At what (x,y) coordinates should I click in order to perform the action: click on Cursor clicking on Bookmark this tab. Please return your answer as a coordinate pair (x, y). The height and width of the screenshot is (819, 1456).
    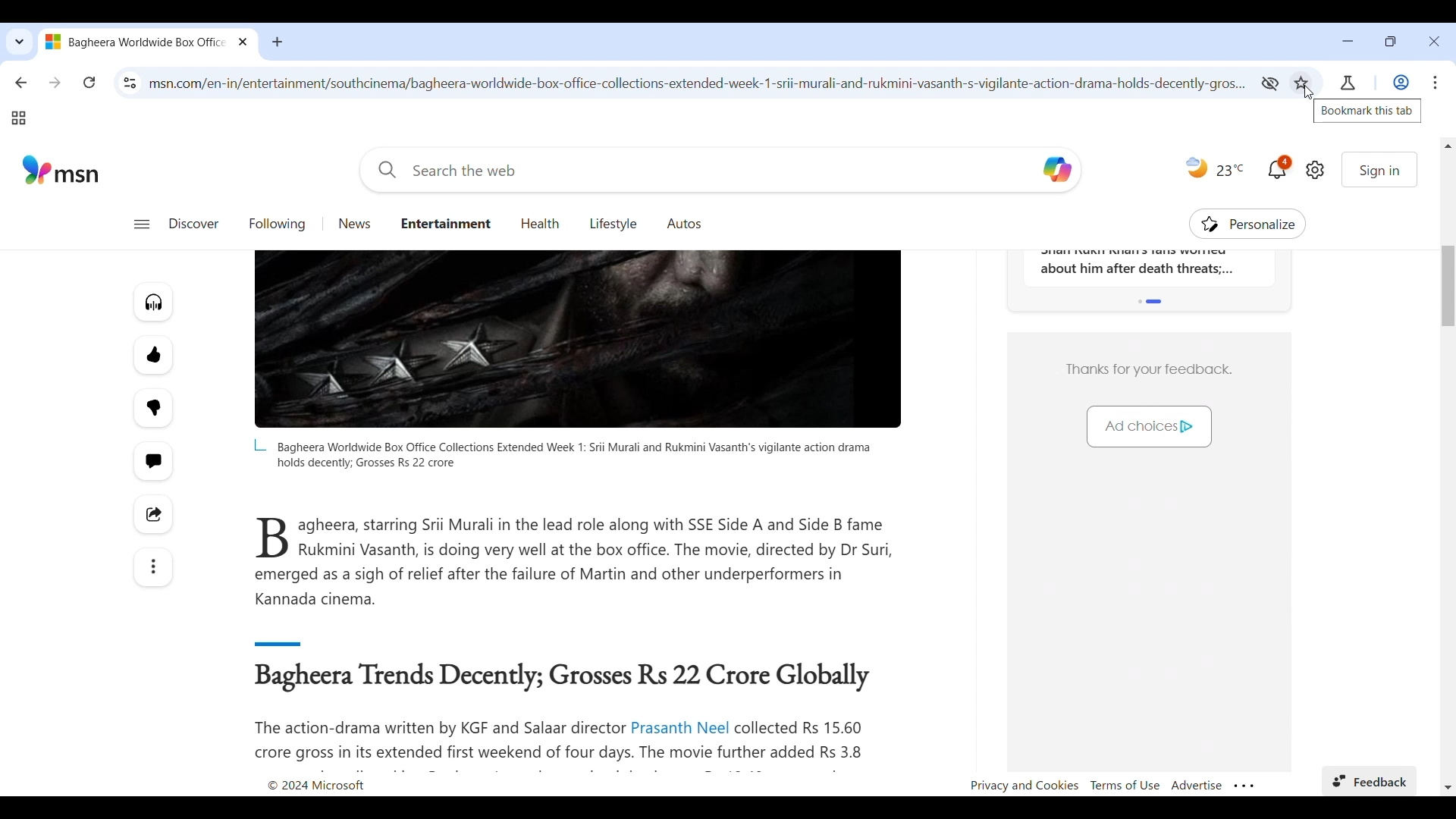
    Looking at the image, I should click on (1309, 93).